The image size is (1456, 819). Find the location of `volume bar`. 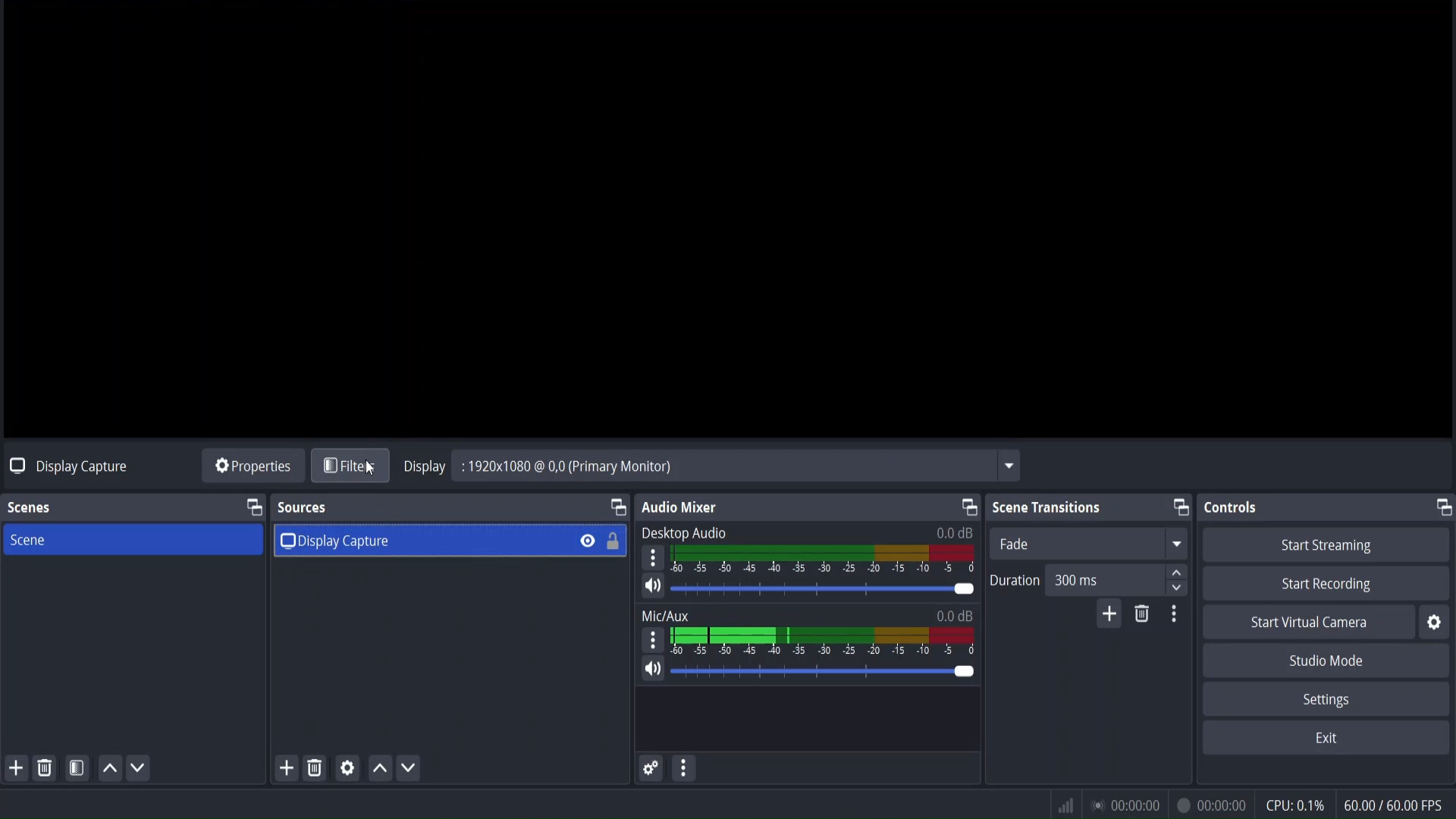

volume bar is located at coordinates (823, 590).